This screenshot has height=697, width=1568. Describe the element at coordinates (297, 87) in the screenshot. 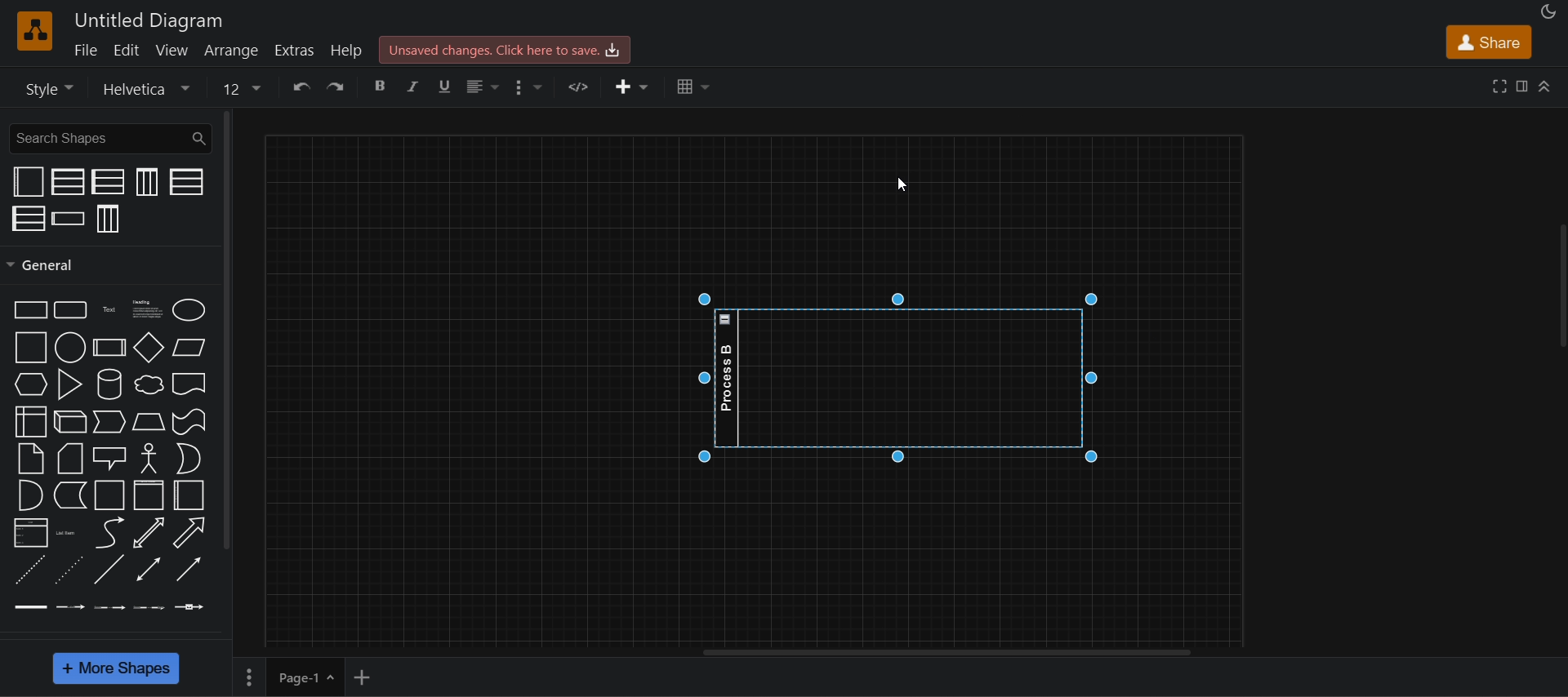

I see `undo` at that location.